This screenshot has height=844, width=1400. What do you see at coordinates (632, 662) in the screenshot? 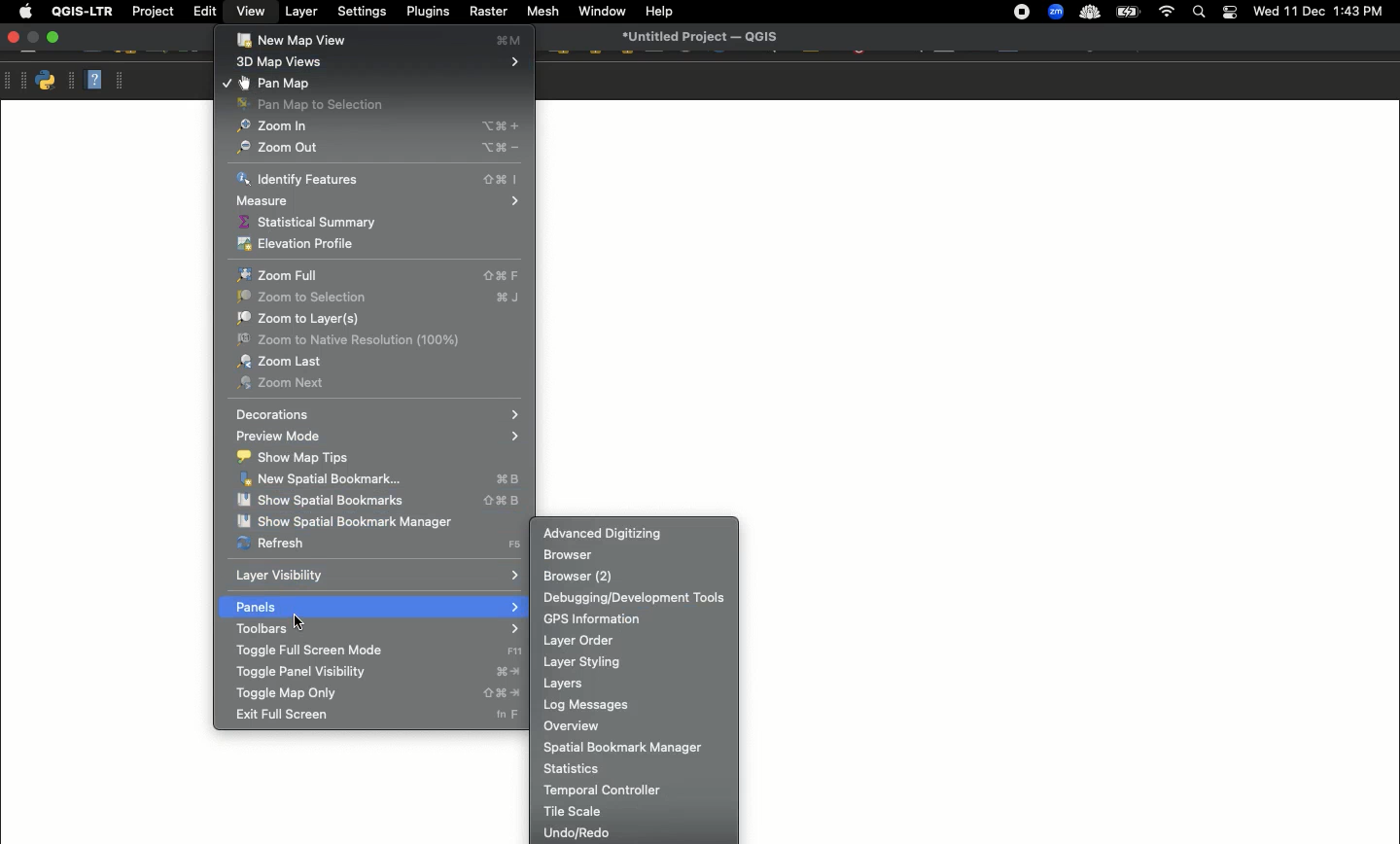
I see `Layer styling` at bounding box center [632, 662].